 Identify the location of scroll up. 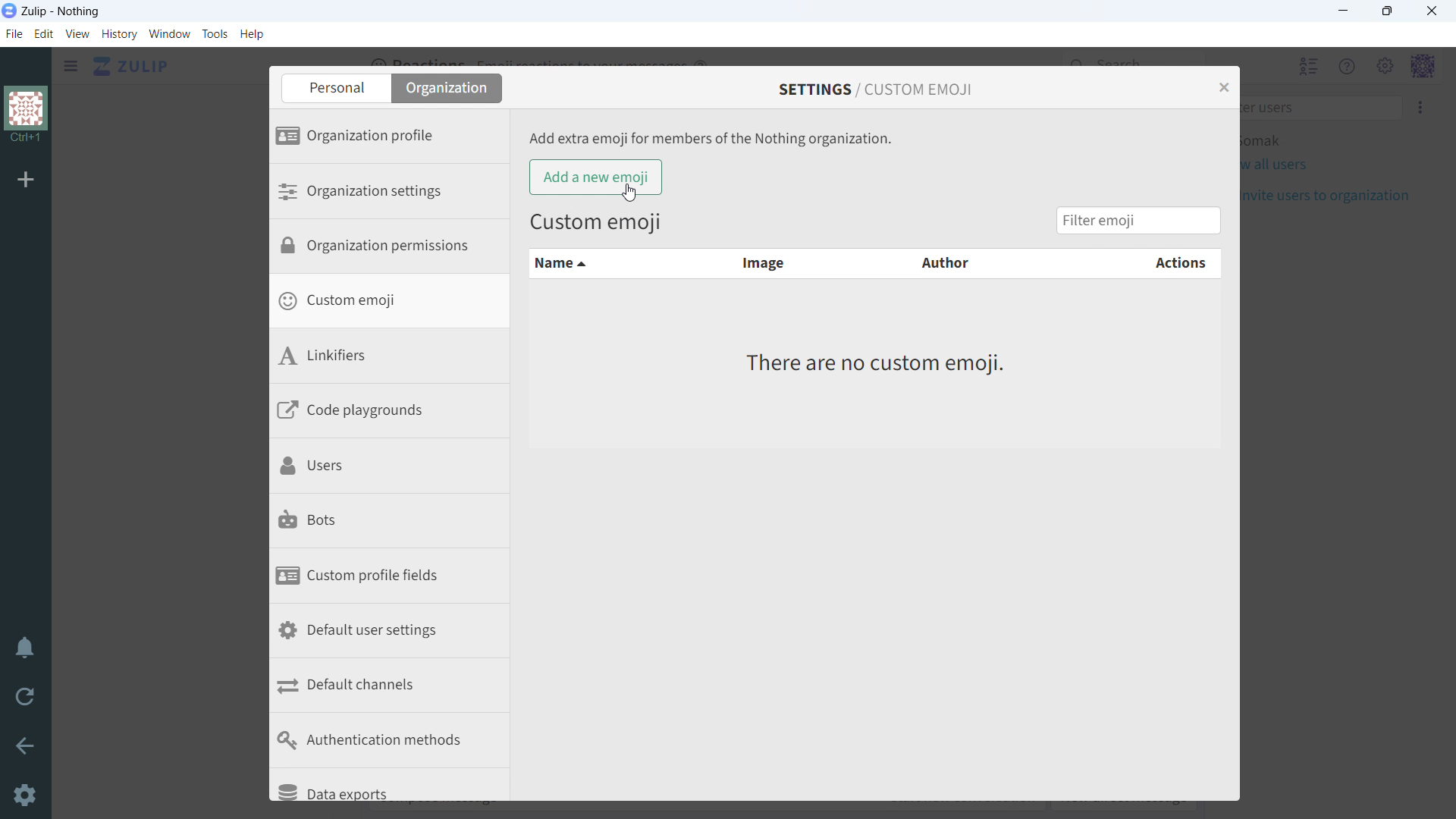
(1447, 55).